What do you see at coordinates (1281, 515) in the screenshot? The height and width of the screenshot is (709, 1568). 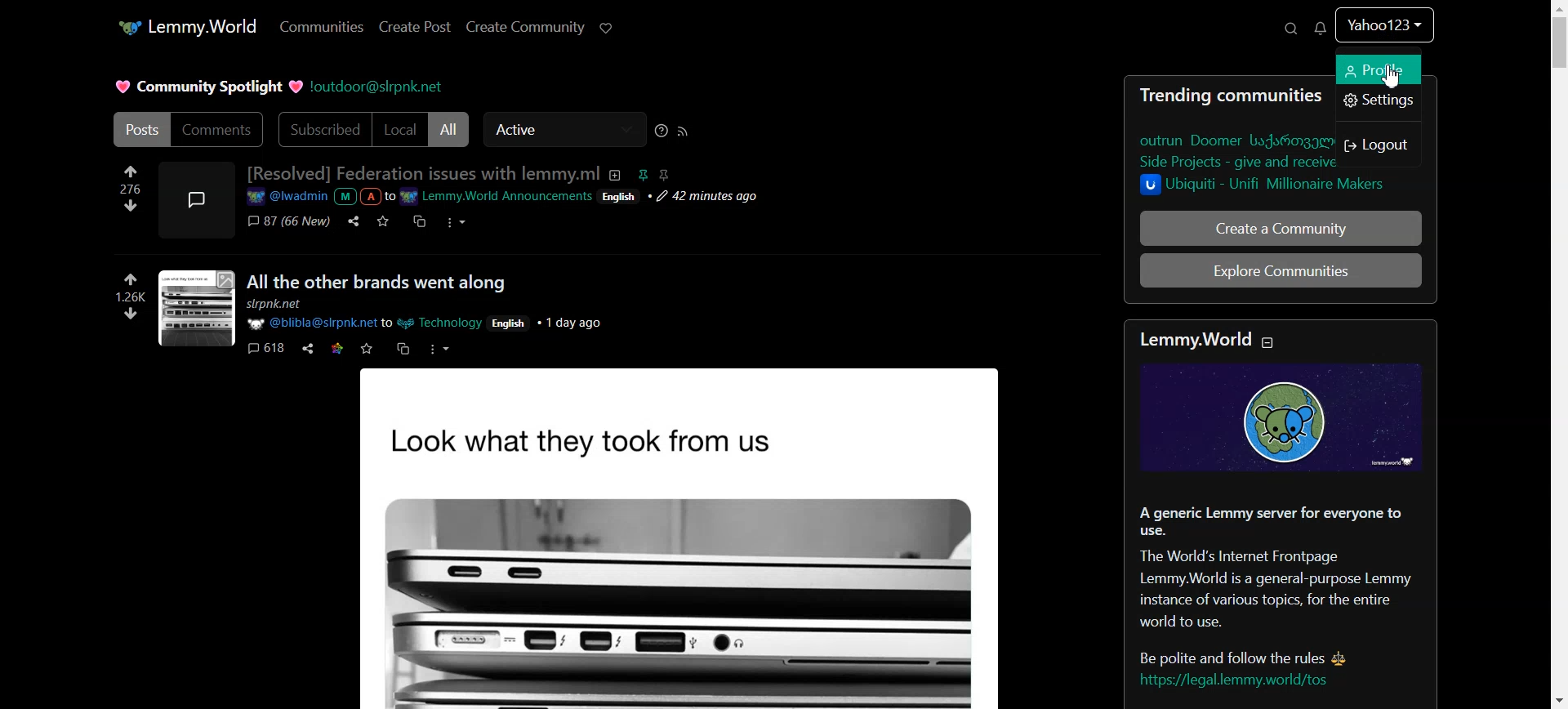 I see `Text` at bounding box center [1281, 515].